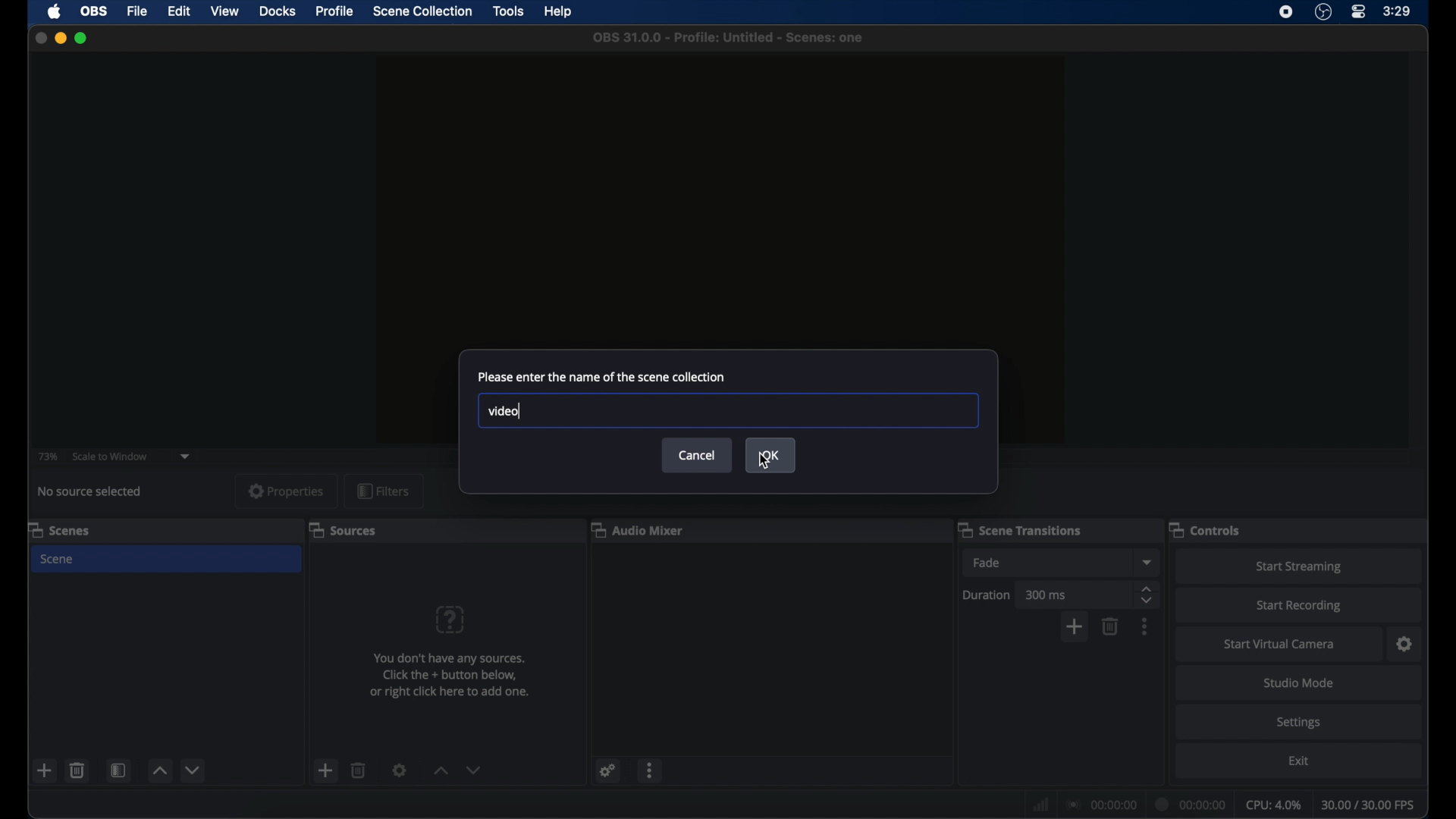  I want to click on video, so click(502, 412).